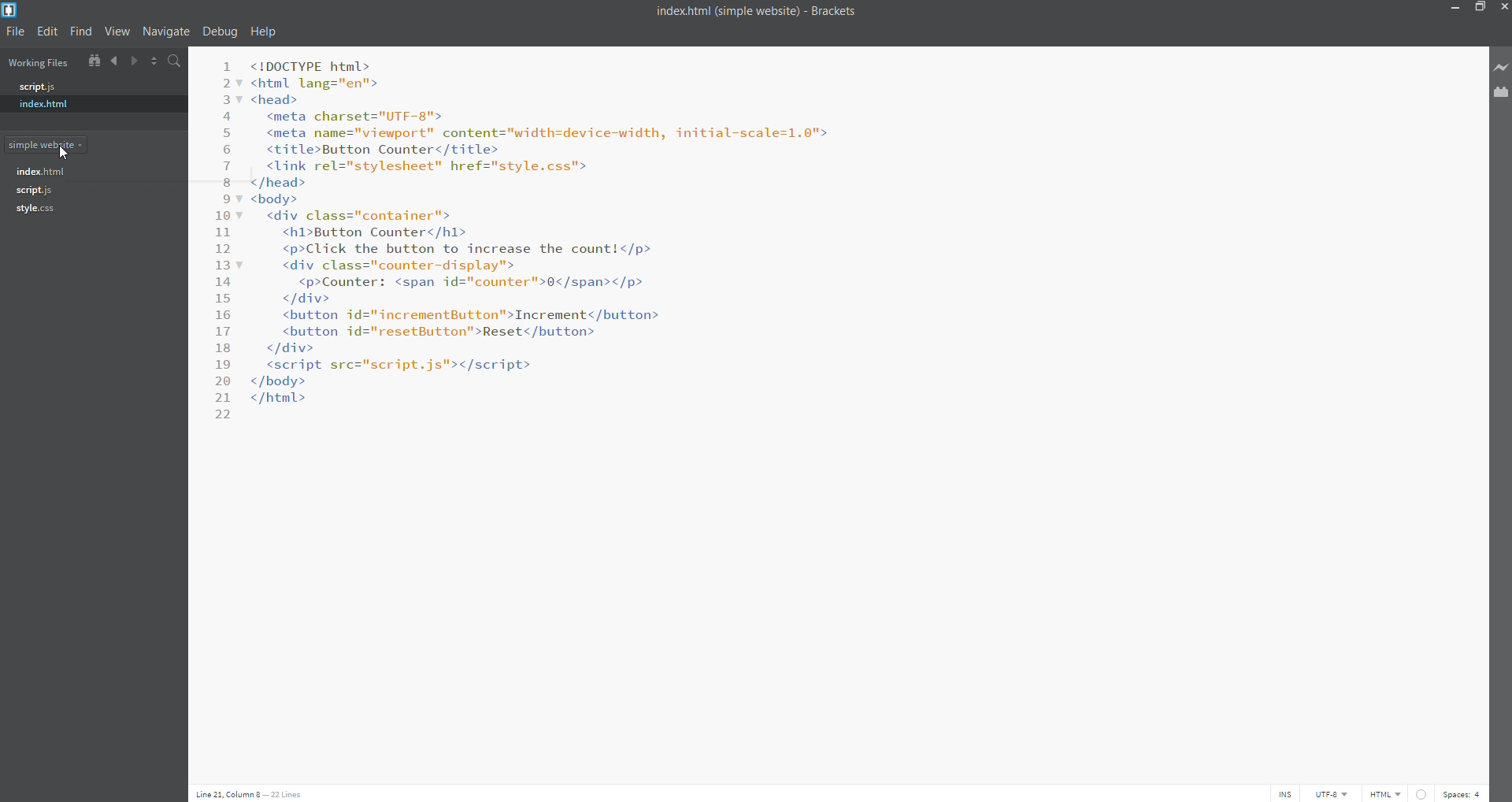 The height and width of the screenshot is (802, 1512). Describe the element at coordinates (154, 63) in the screenshot. I see `split horizontally/vertically` at that location.